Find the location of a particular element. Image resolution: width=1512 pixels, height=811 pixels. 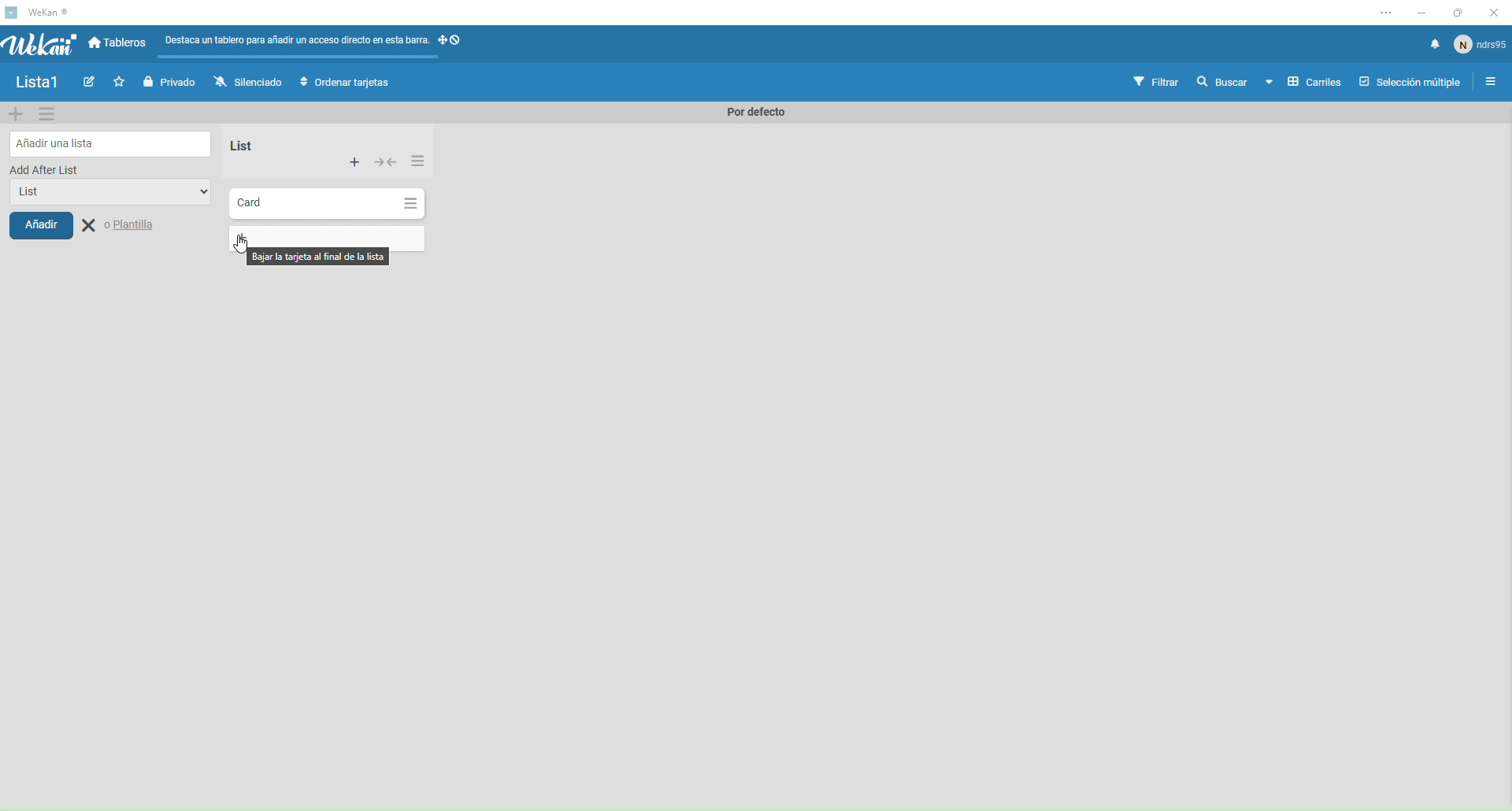

more options is located at coordinates (1388, 13).